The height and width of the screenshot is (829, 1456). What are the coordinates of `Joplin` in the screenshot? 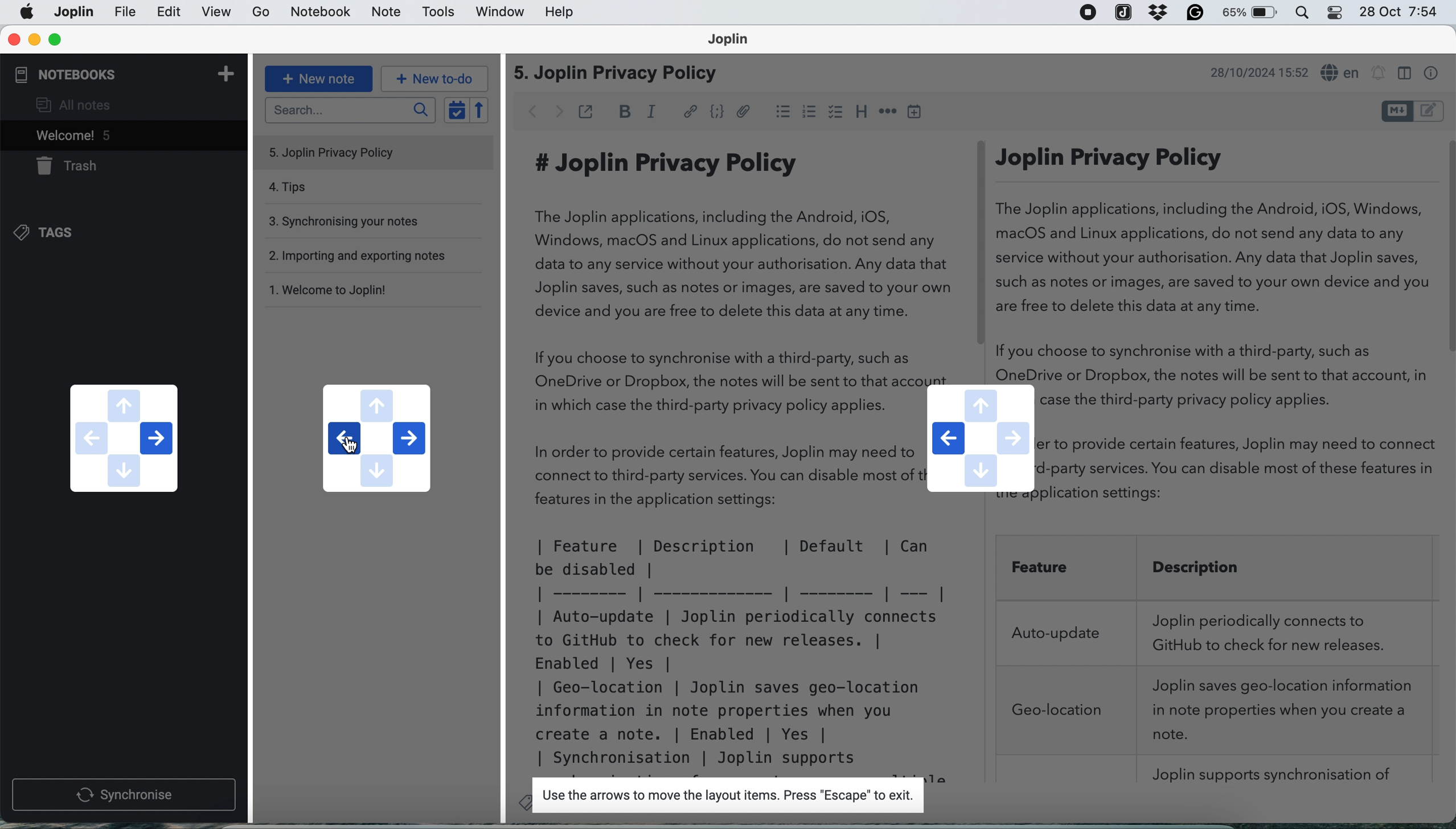 It's located at (735, 41).